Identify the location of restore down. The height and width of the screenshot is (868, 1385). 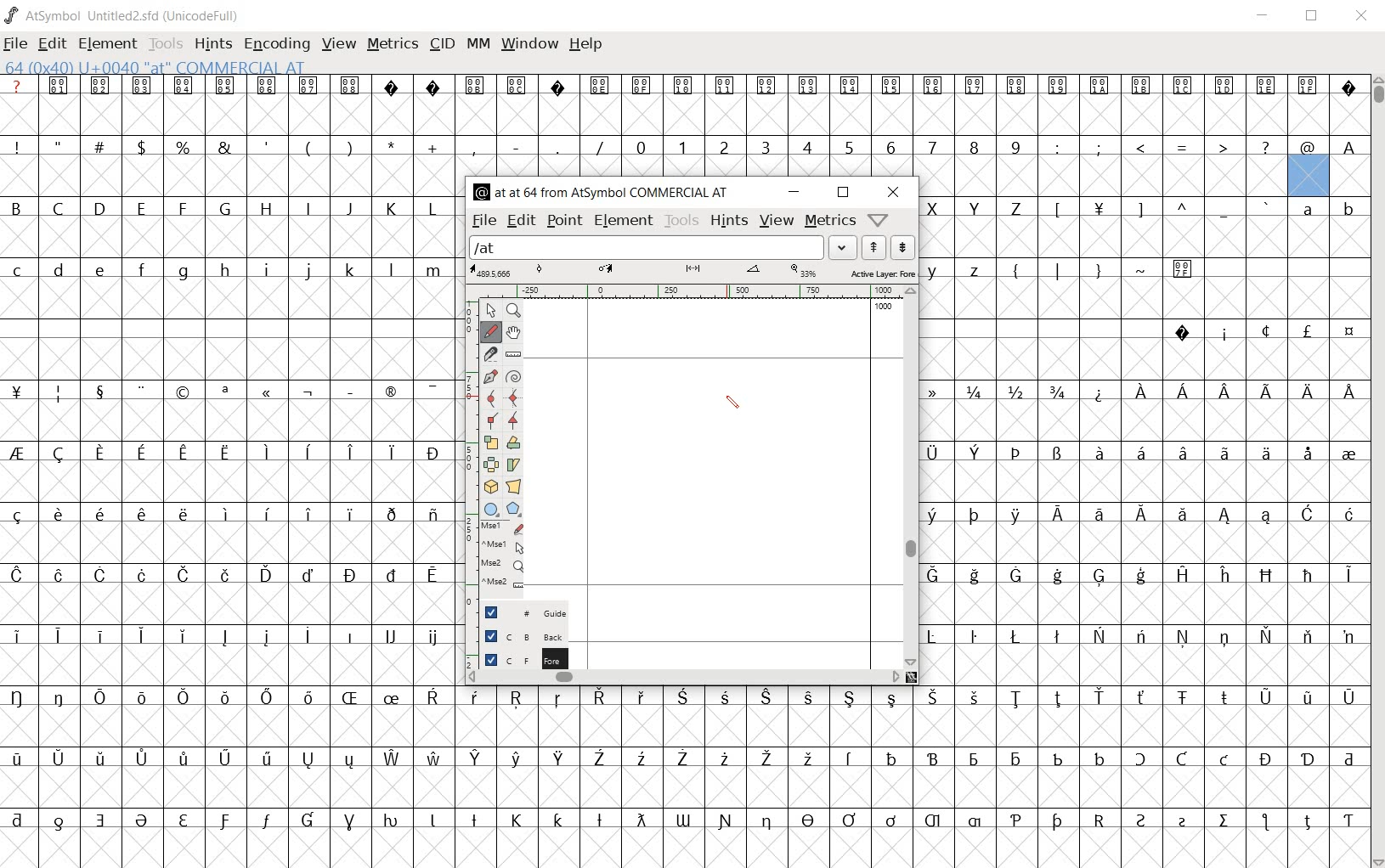
(845, 193).